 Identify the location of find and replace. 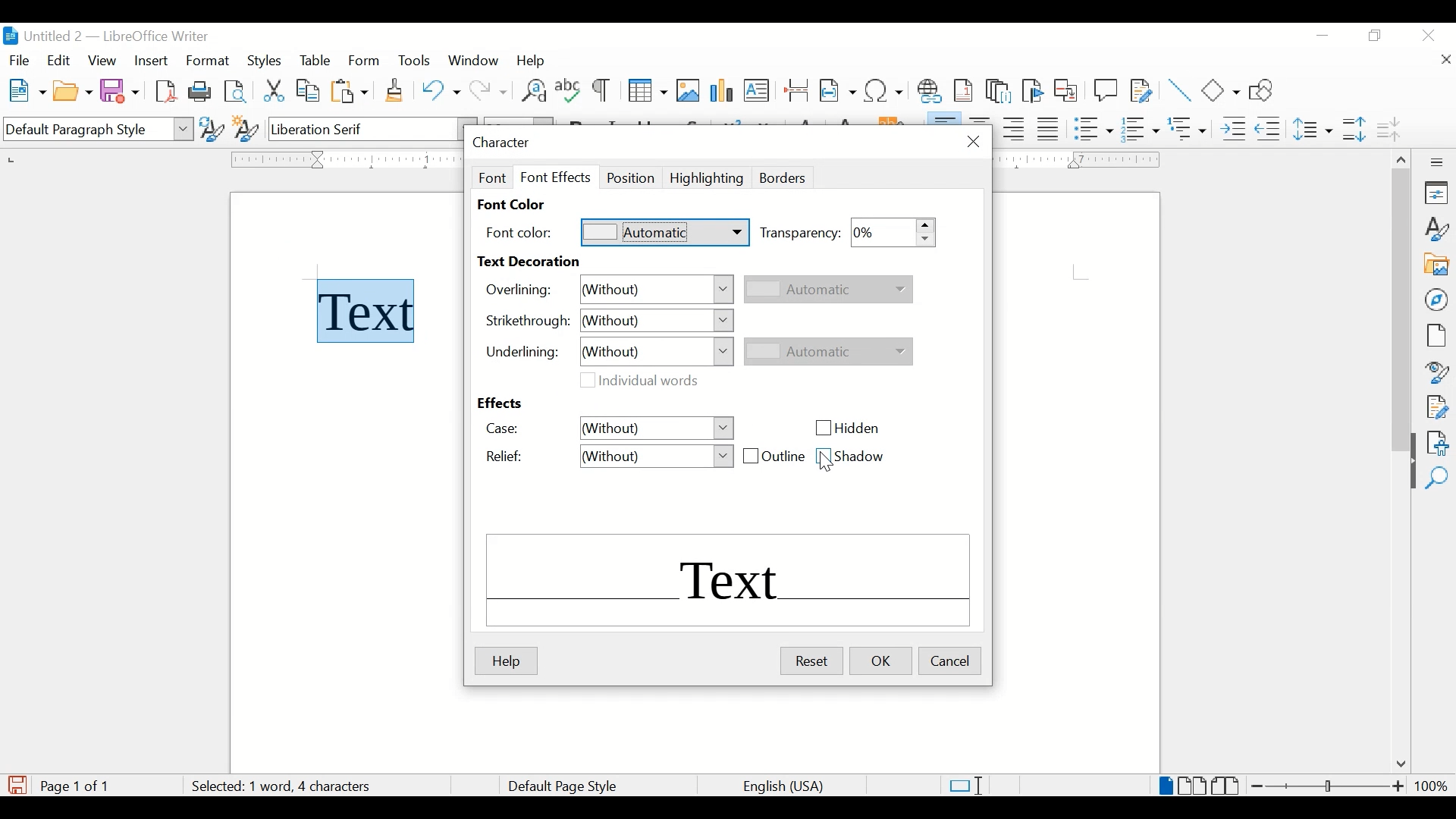
(532, 90).